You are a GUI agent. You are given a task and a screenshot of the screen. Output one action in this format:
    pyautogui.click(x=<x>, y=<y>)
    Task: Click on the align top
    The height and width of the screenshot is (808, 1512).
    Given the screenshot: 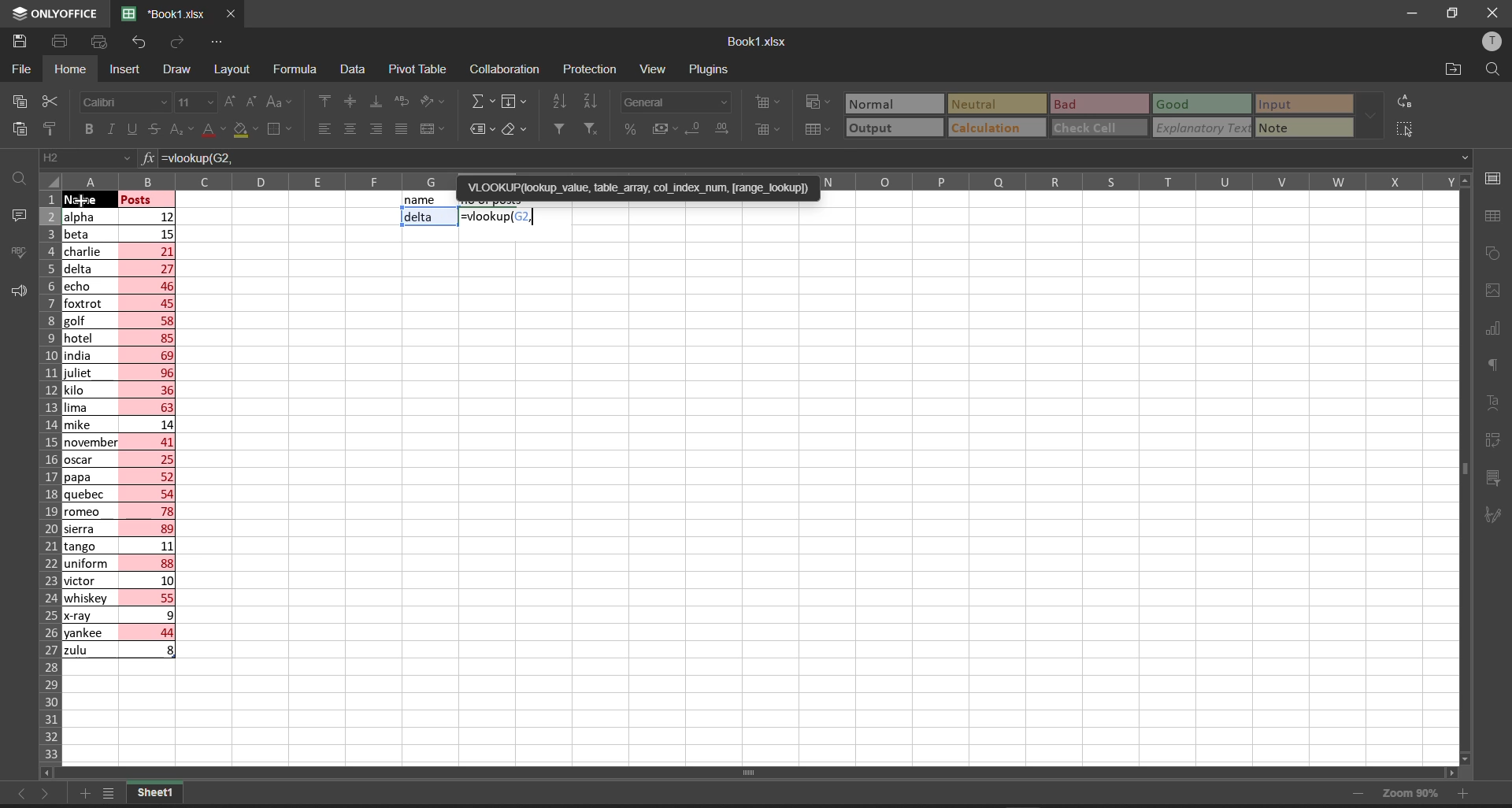 What is the action you would take?
    pyautogui.click(x=321, y=102)
    